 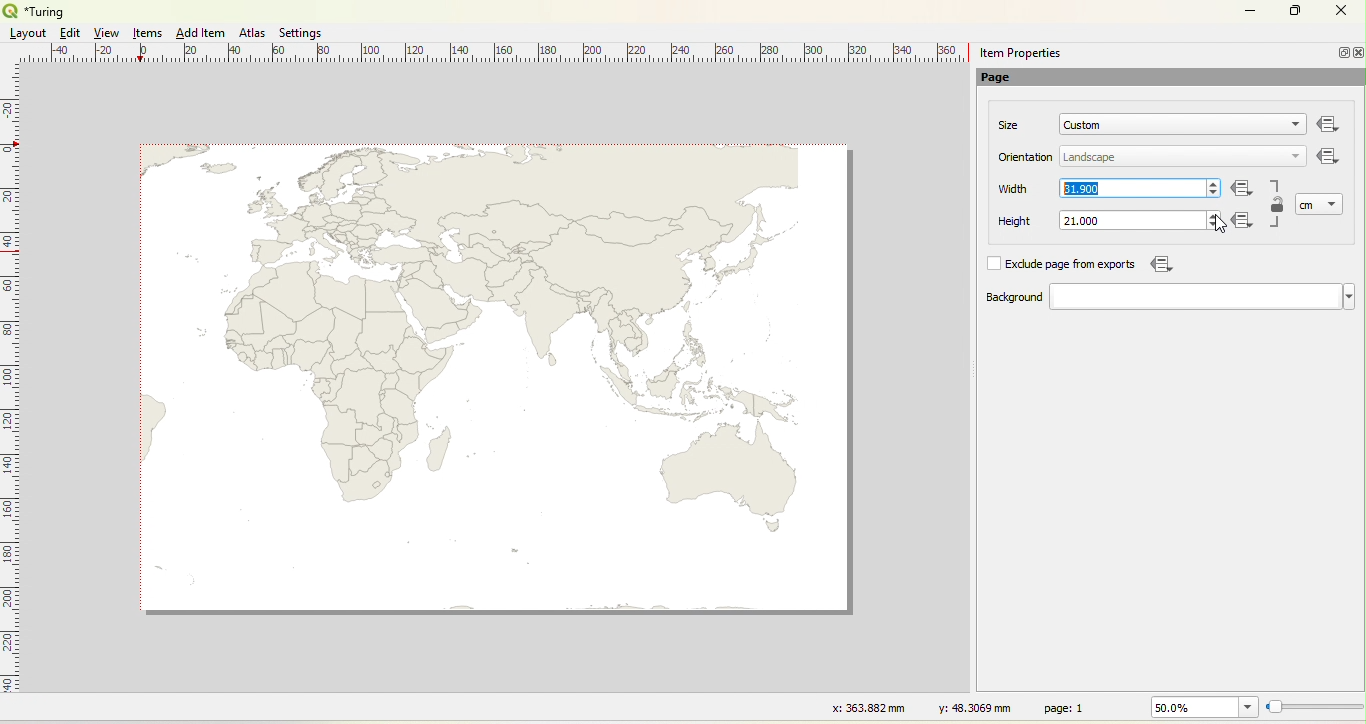 What do you see at coordinates (992, 263) in the screenshot?
I see `Check box` at bounding box center [992, 263].